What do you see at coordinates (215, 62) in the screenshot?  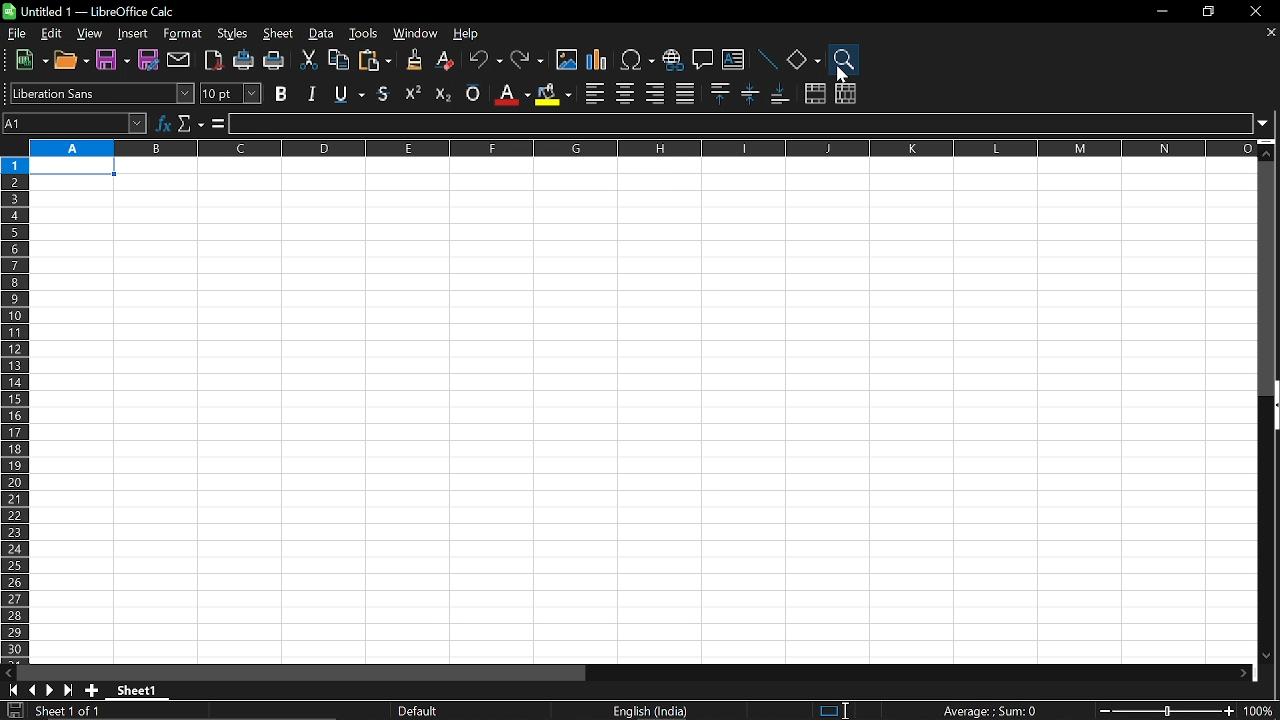 I see `export as pdf` at bounding box center [215, 62].